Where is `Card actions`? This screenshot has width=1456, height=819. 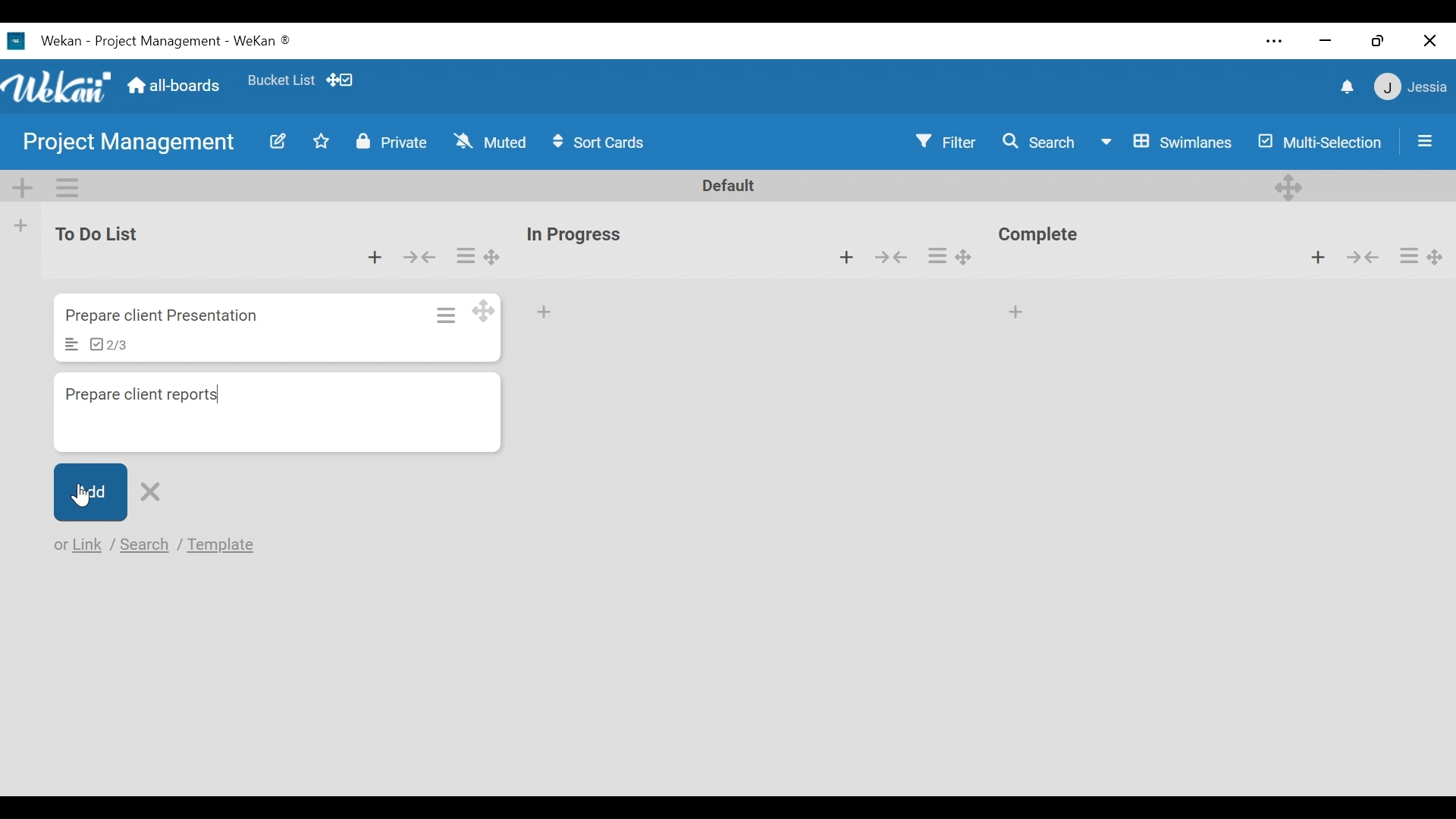 Card actions is located at coordinates (466, 255).